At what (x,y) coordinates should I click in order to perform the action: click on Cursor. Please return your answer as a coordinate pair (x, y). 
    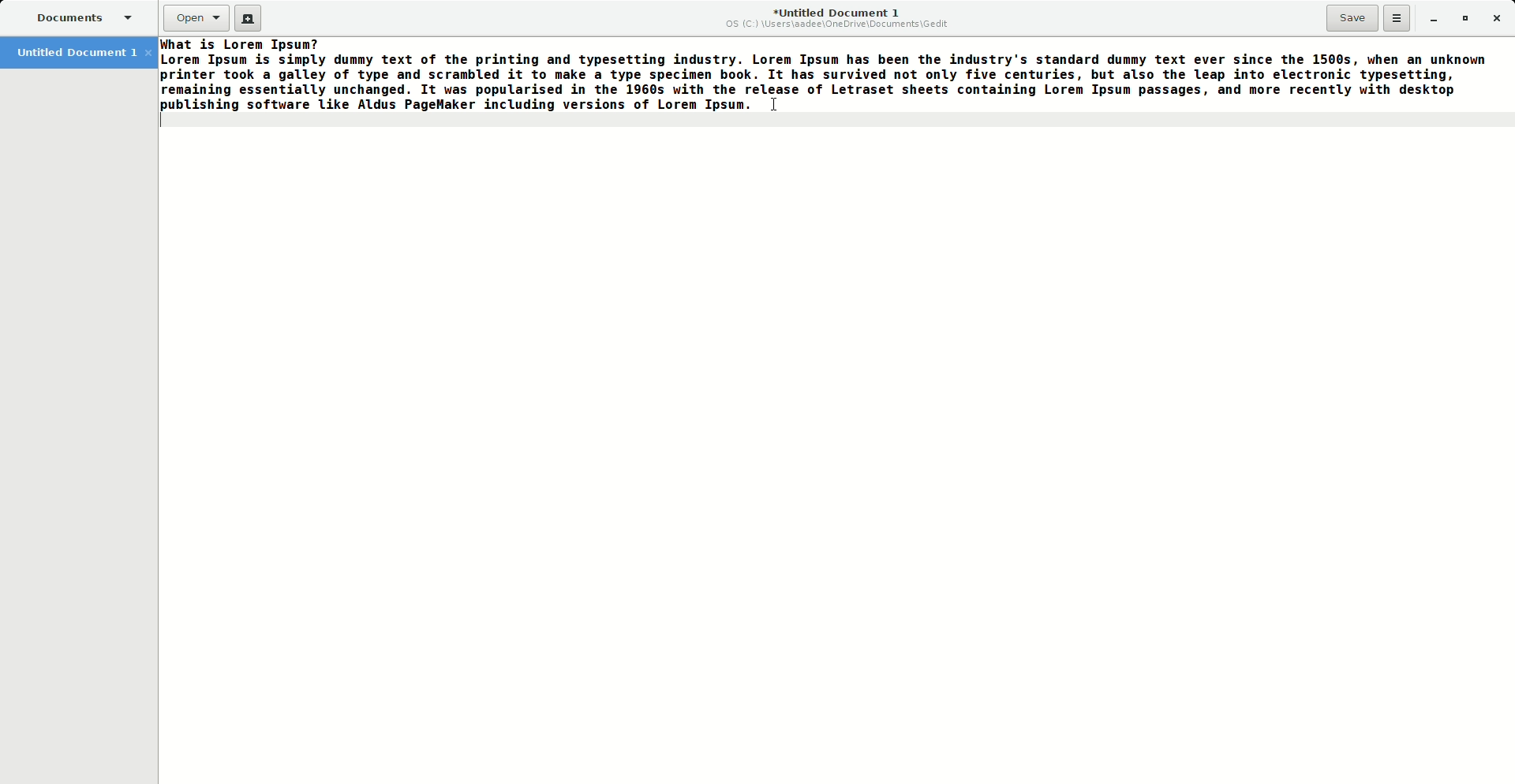
    Looking at the image, I should click on (772, 106).